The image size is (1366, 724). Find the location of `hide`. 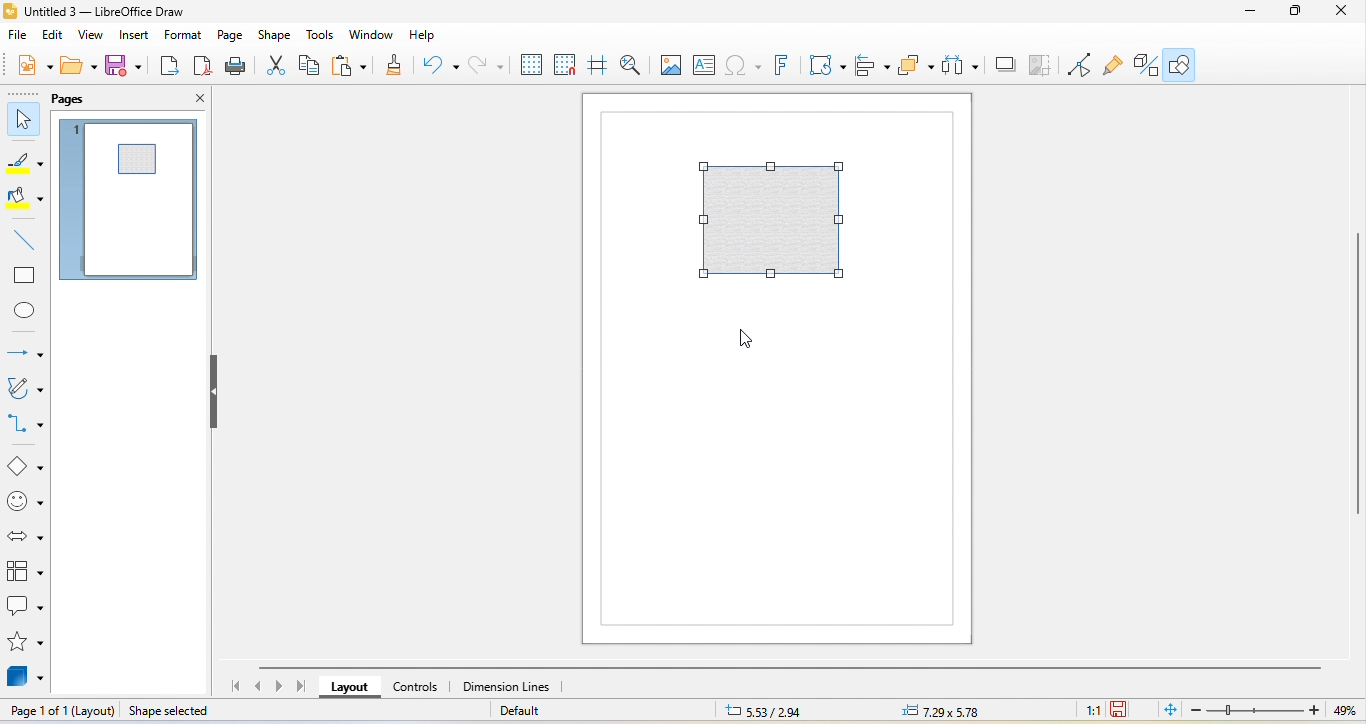

hide is located at coordinates (215, 393).